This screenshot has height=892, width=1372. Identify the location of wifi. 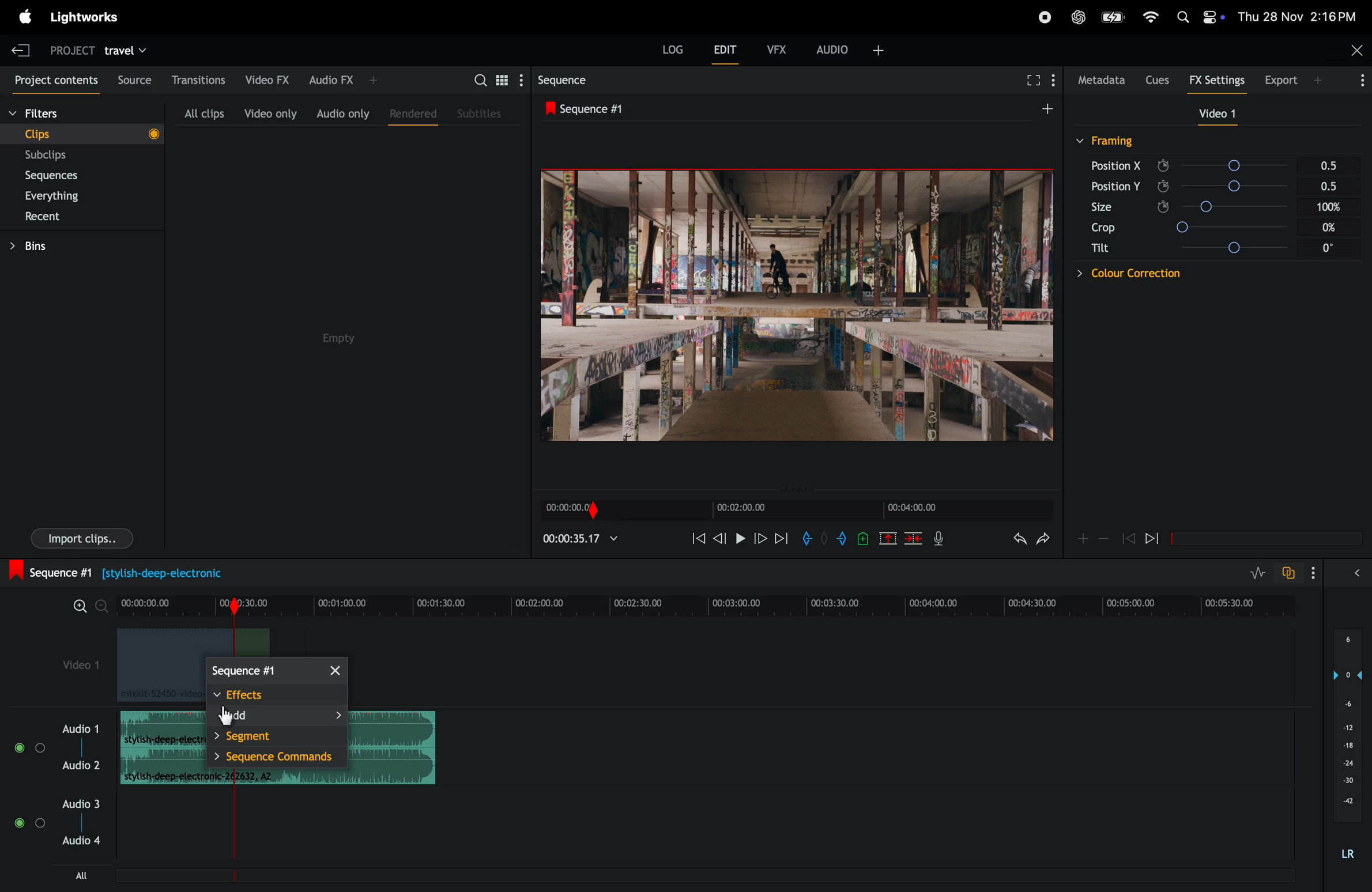
(1148, 17).